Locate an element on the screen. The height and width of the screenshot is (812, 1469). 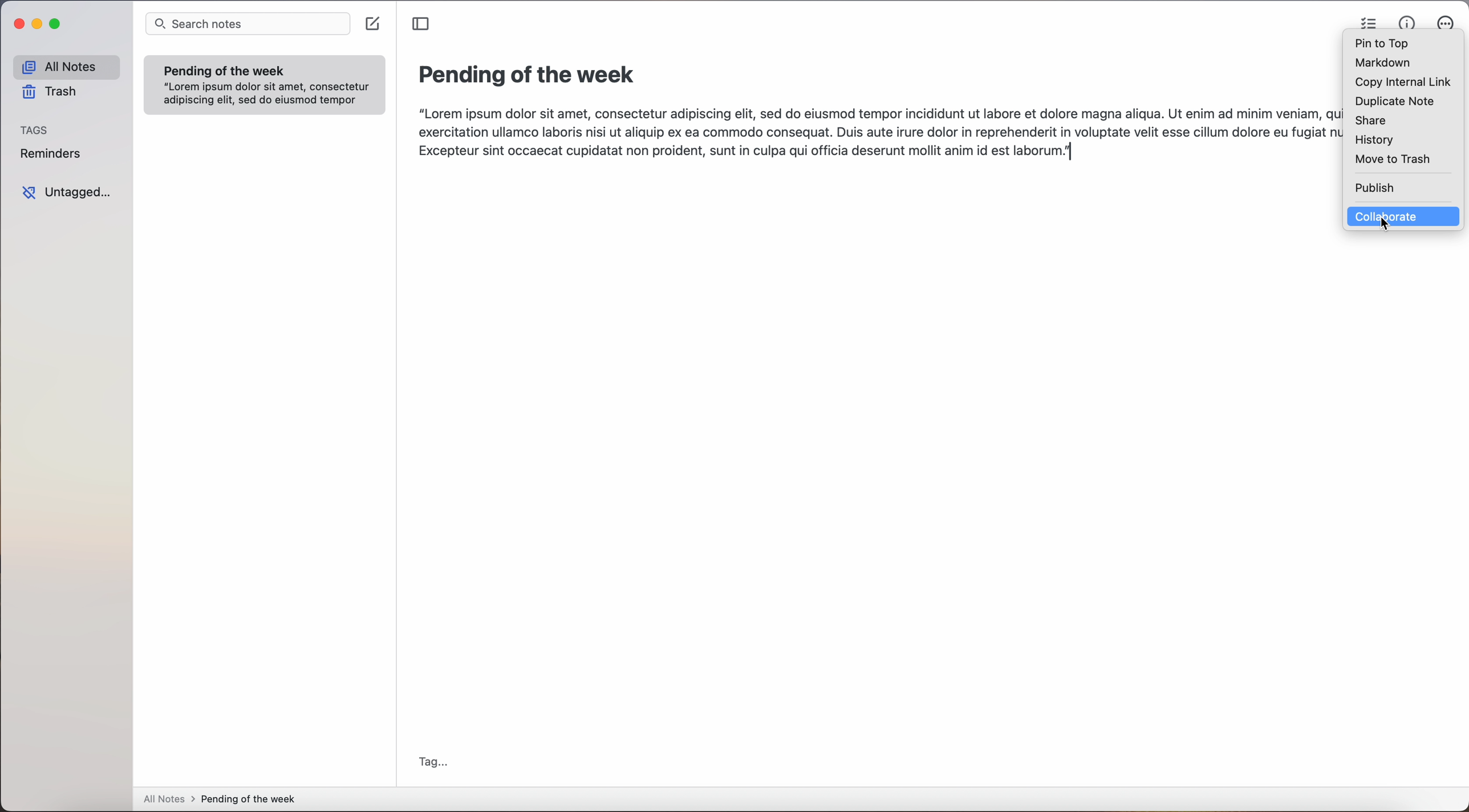
pin to top is located at coordinates (1382, 44).